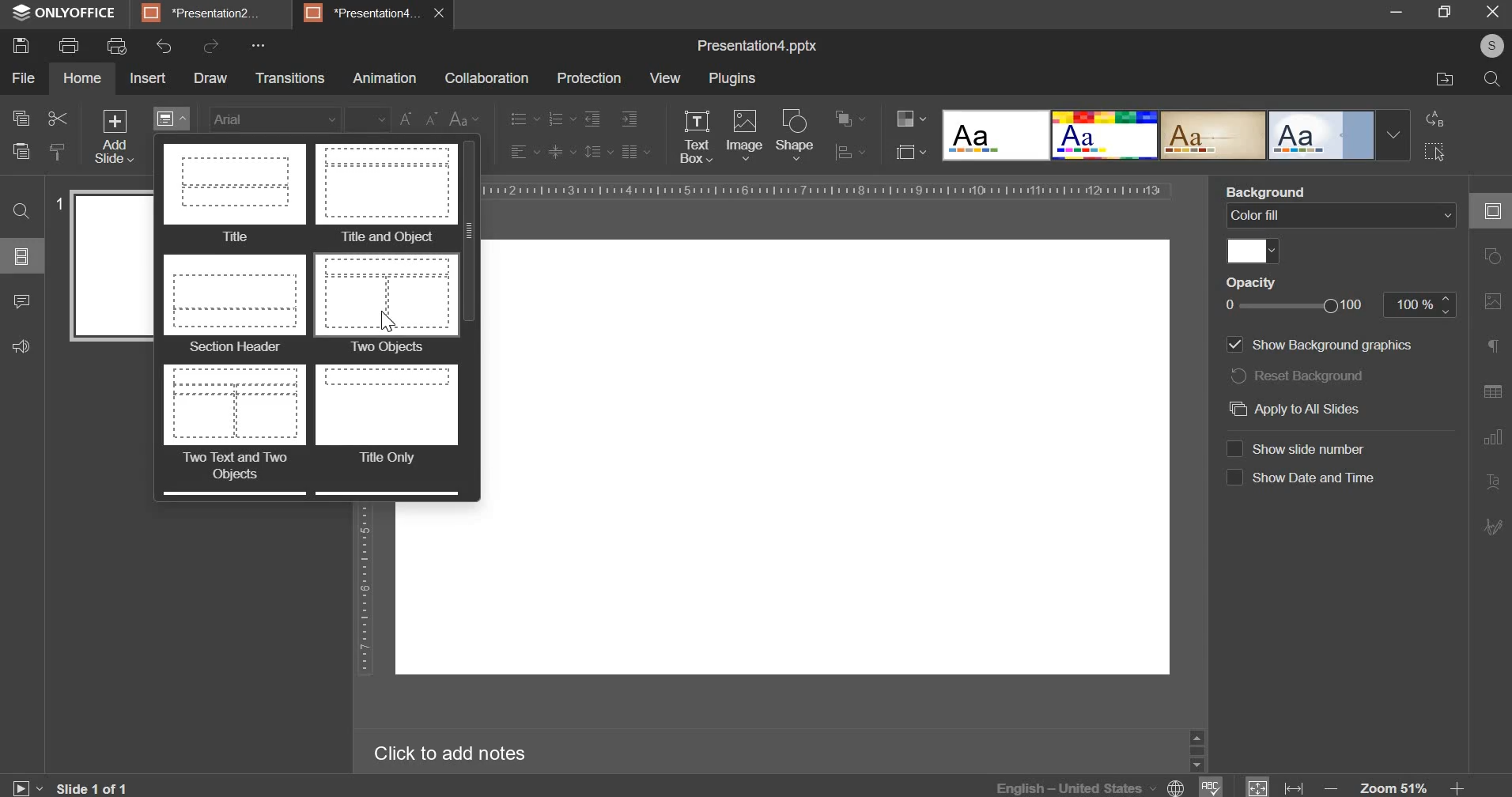 This screenshot has height=797, width=1512. What do you see at coordinates (259, 46) in the screenshot?
I see `more options` at bounding box center [259, 46].